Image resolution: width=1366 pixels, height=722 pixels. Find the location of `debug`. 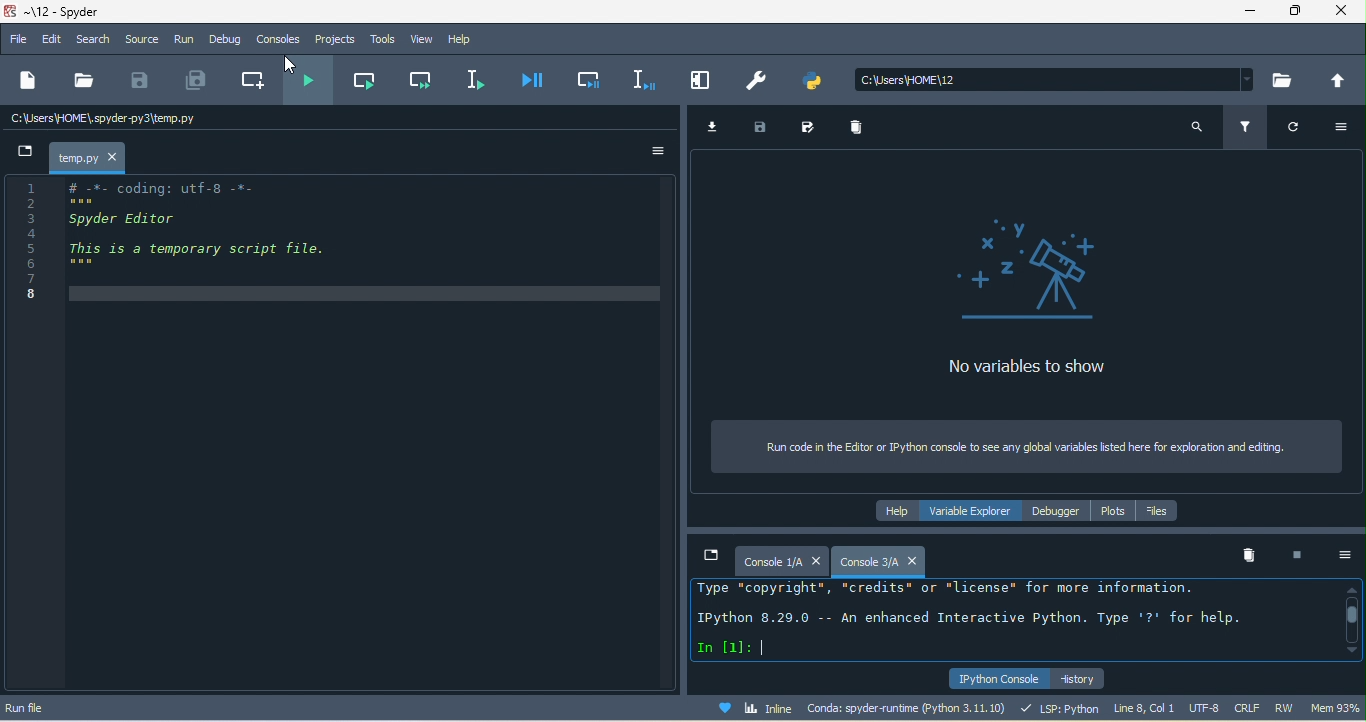

debug is located at coordinates (228, 41).